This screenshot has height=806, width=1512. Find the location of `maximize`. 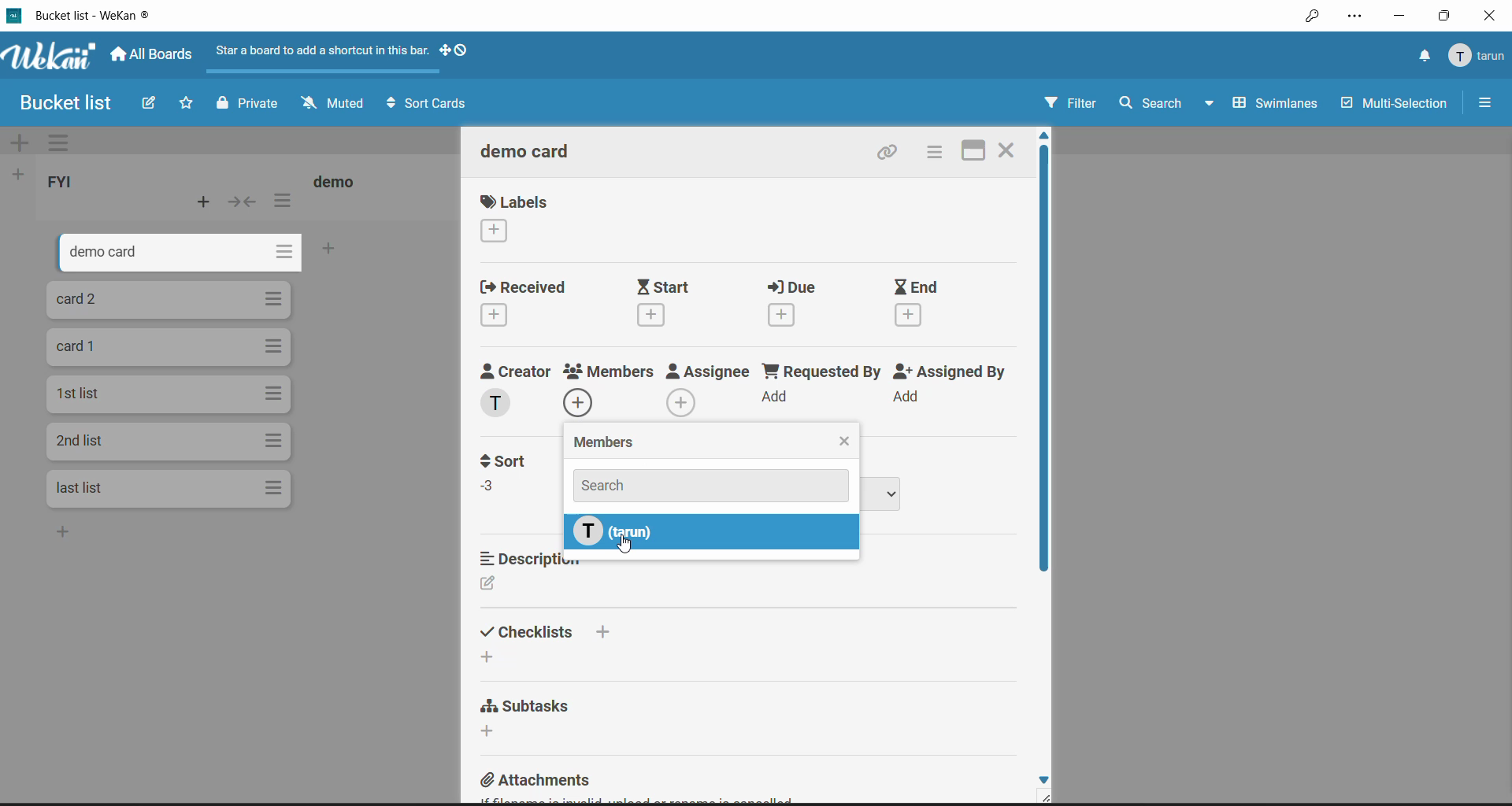

maximize is located at coordinates (1447, 13).